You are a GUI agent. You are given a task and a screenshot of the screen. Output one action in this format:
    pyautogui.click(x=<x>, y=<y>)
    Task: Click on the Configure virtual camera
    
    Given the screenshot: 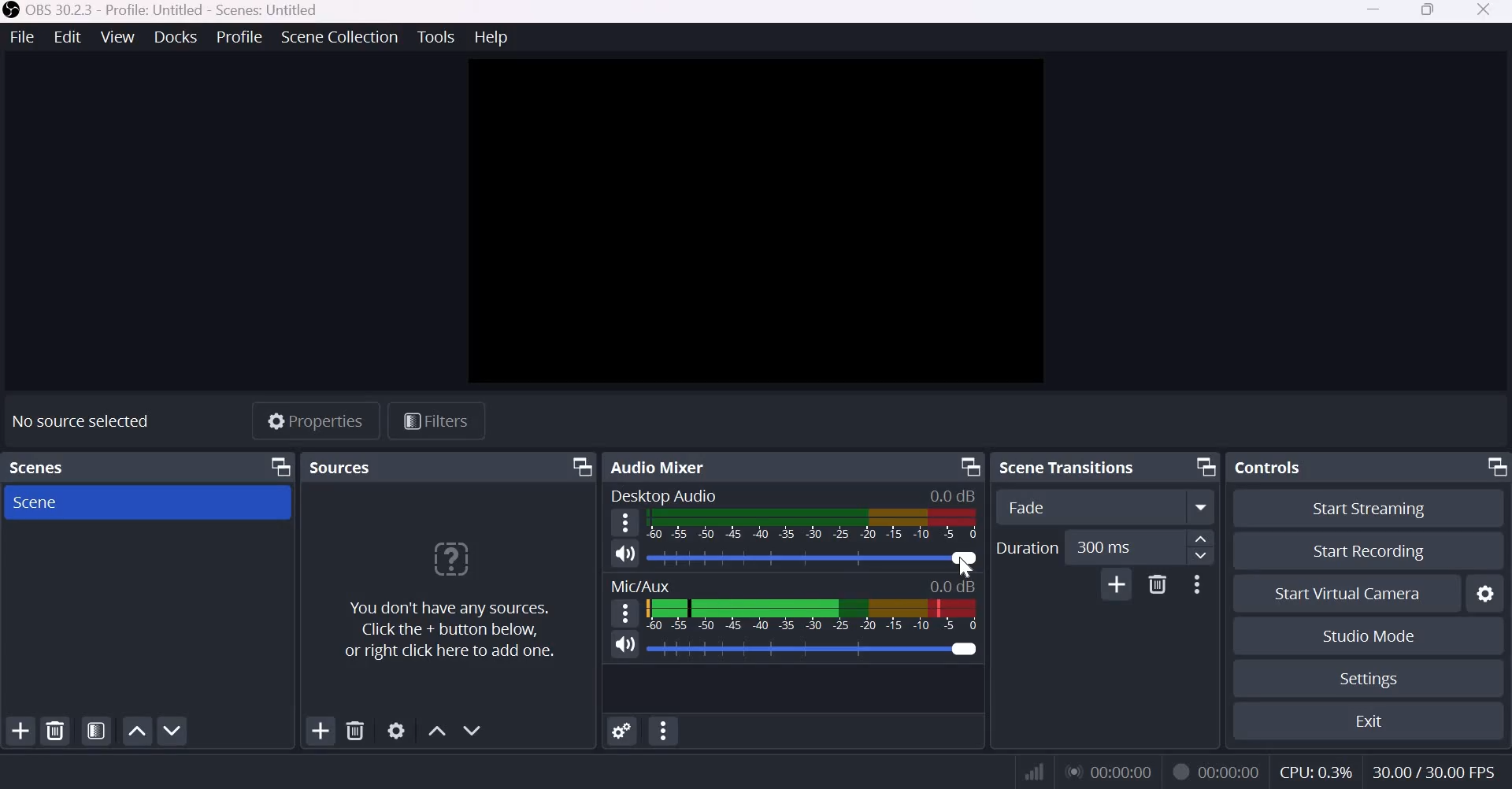 What is the action you would take?
    pyautogui.click(x=1486, y=593)
    